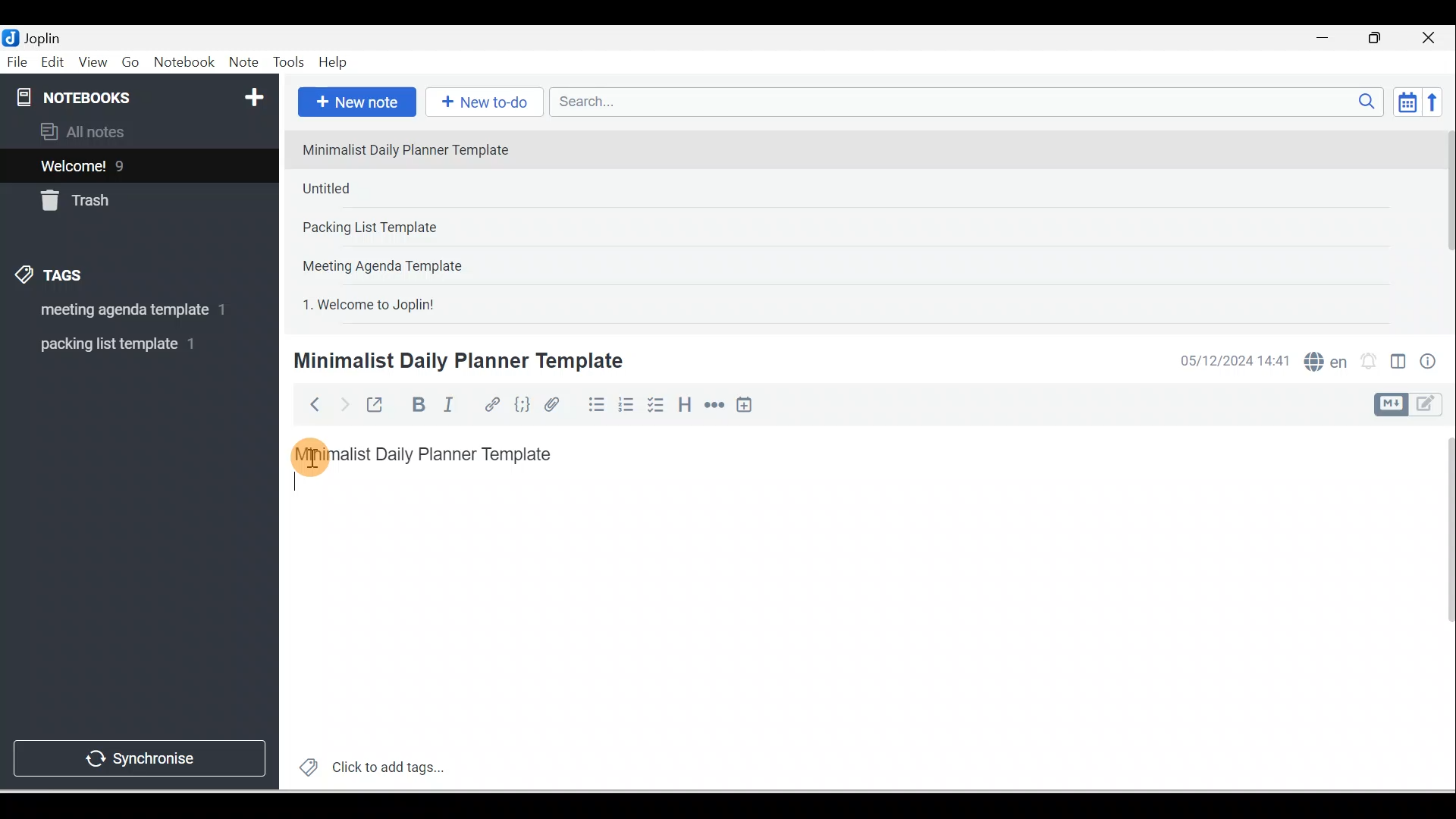 The image size is (1456, 819). What do you see at coordinates (1439, 608) in the screenshot?
I see `Scroll bar` at bounding box center [1439, 608].